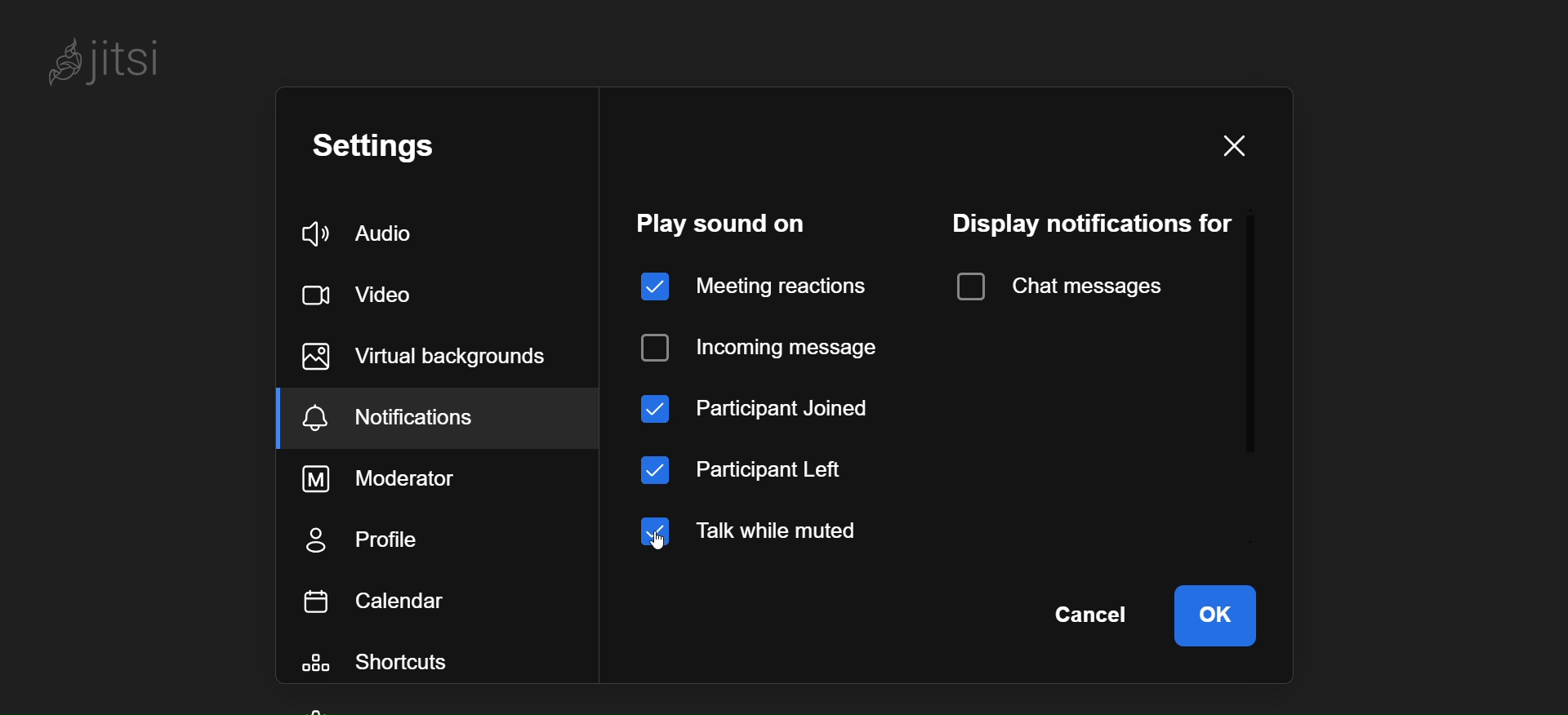 This screenshot has height=715, width=1568. What do you see at coordinates (405, 415) in the screenshot?
I see `notification` at bounding box center [405, 415].